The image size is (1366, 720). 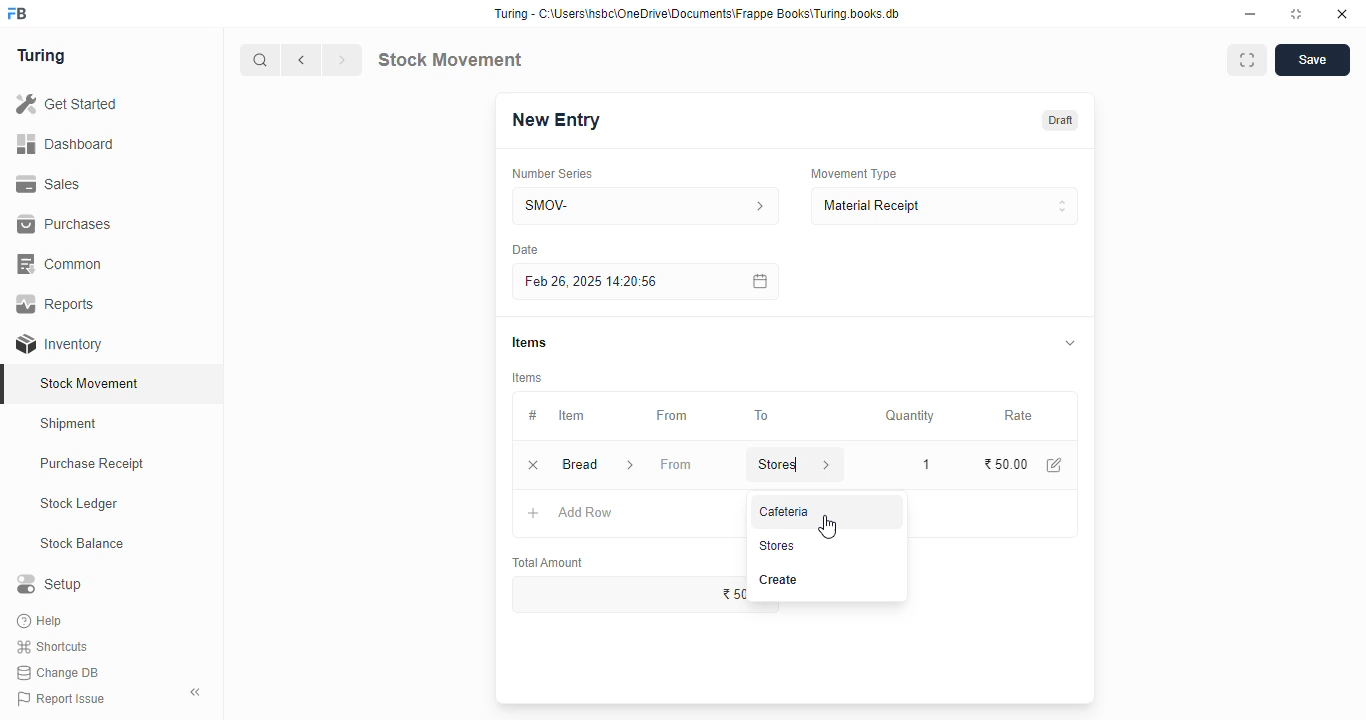 What do you see at coordinates (83, 544) in the screenshot?
I see `stock balance` at bounding box center [83, 544].